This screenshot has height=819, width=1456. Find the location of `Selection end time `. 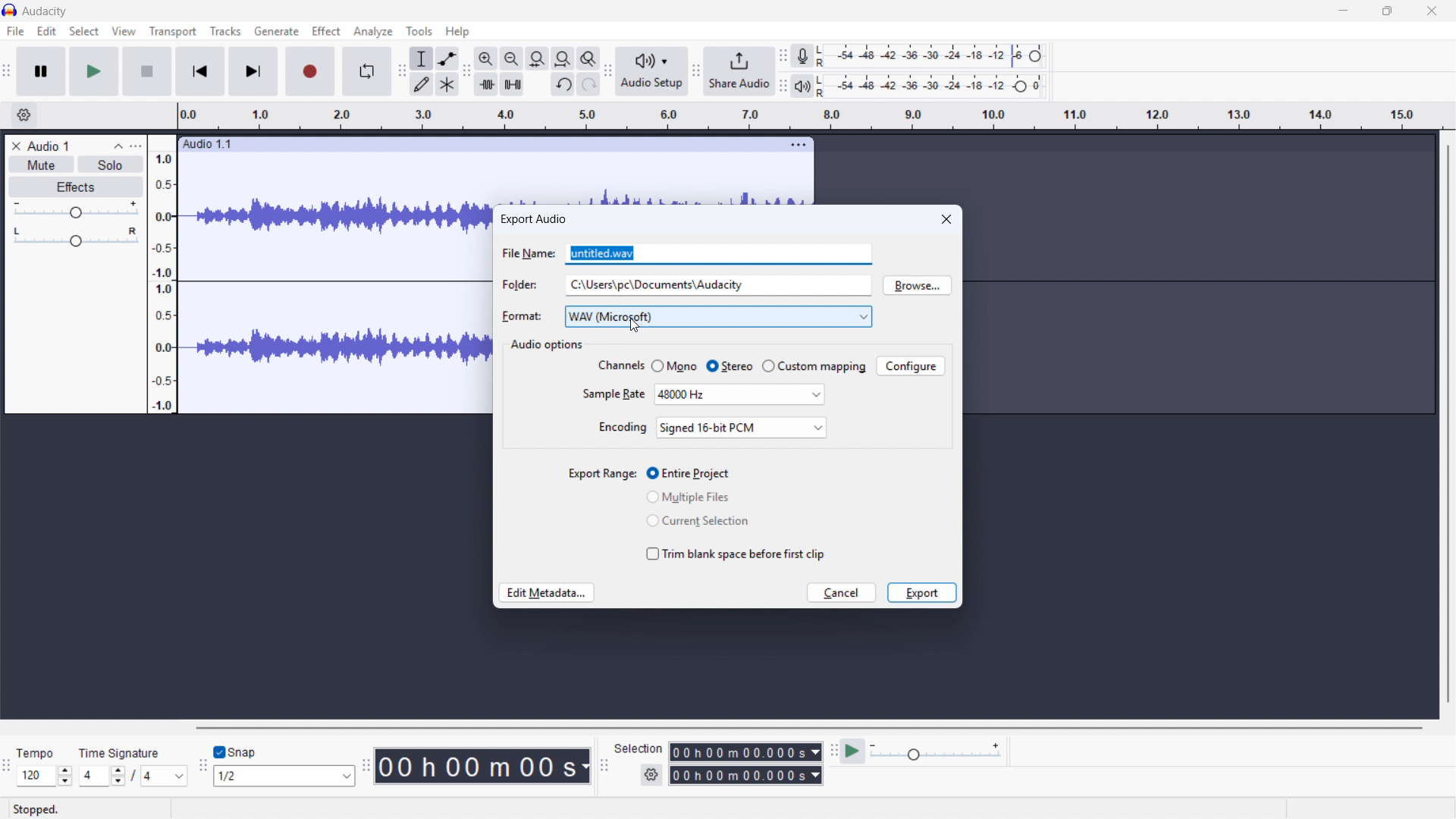

Selection end time  is located at coordinates (745, 775).